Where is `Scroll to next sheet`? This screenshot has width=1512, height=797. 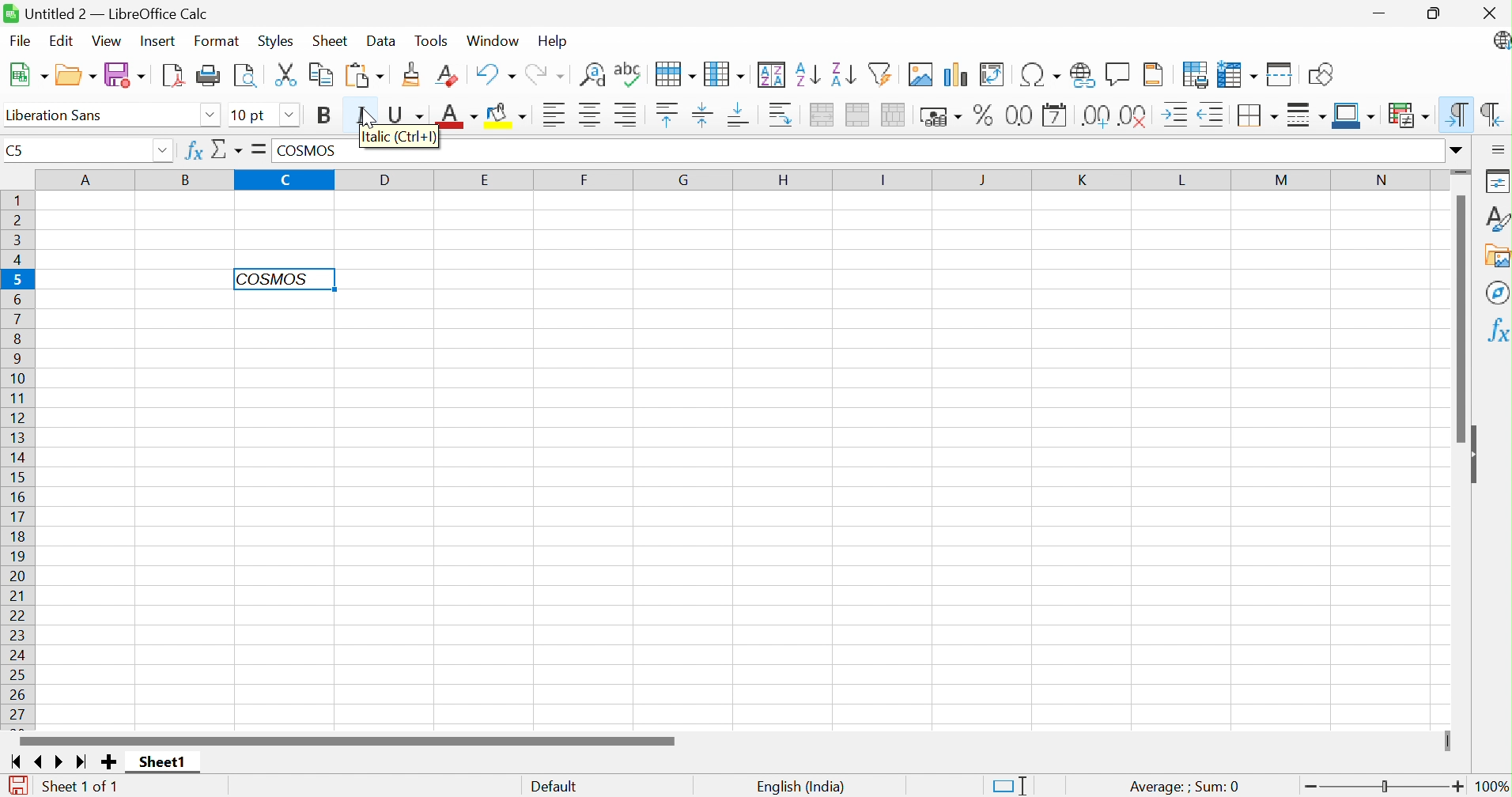
Scroll to next sheet is located at coordinates (62, 762).